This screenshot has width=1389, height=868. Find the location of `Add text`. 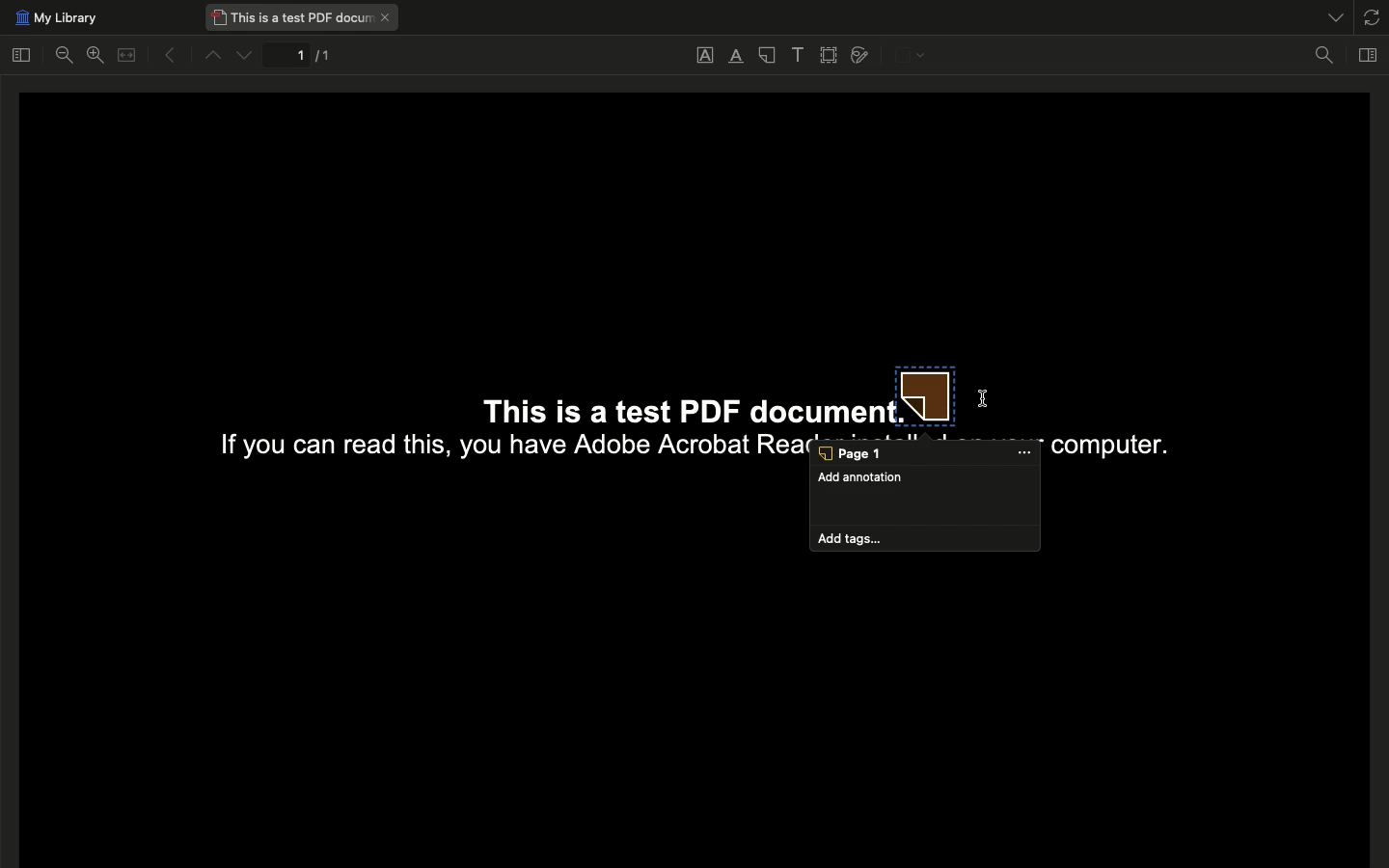

Add text is located at coordinates (798, 56).